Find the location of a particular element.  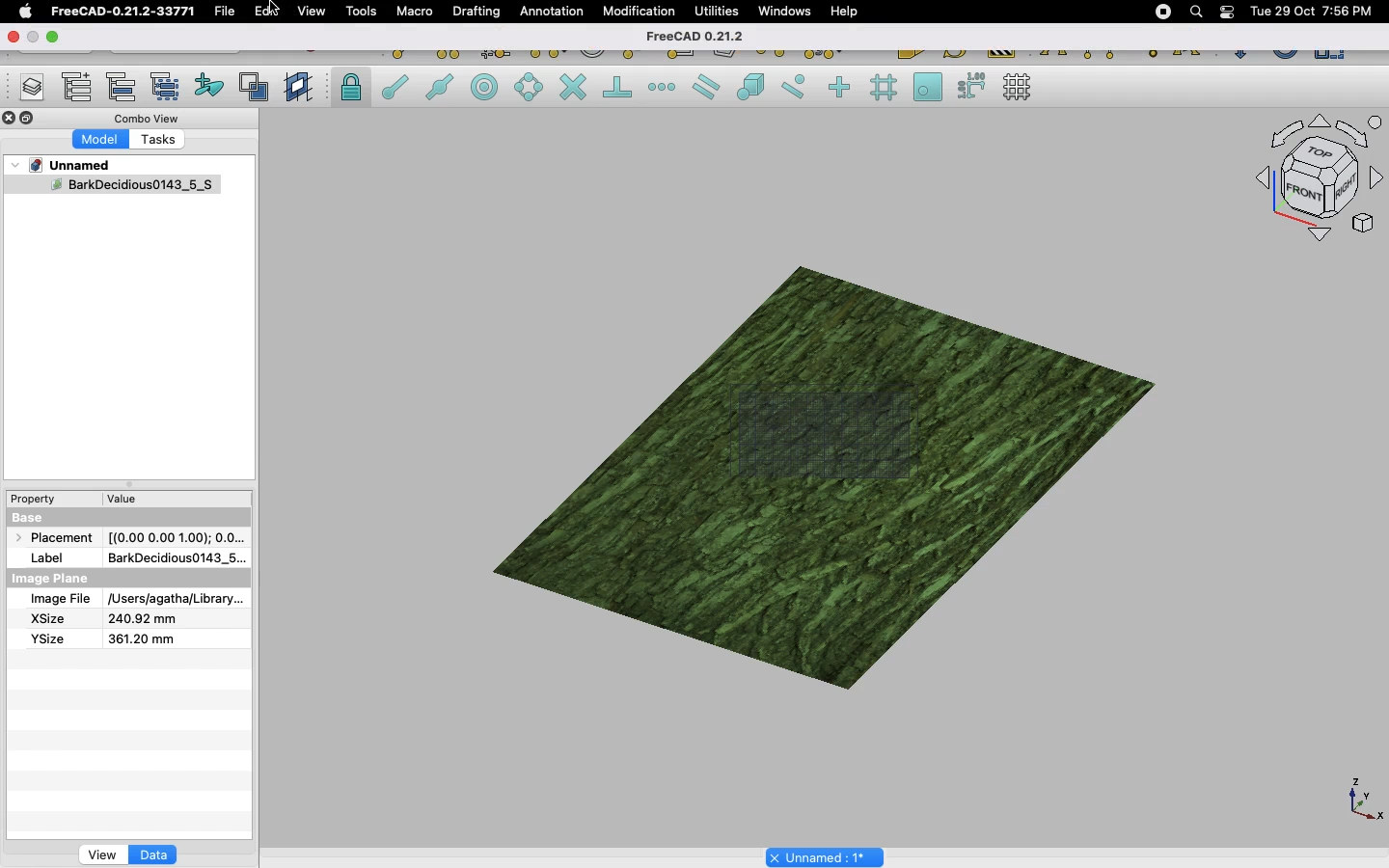

Snap intersection is located at coordinates (574, 89).